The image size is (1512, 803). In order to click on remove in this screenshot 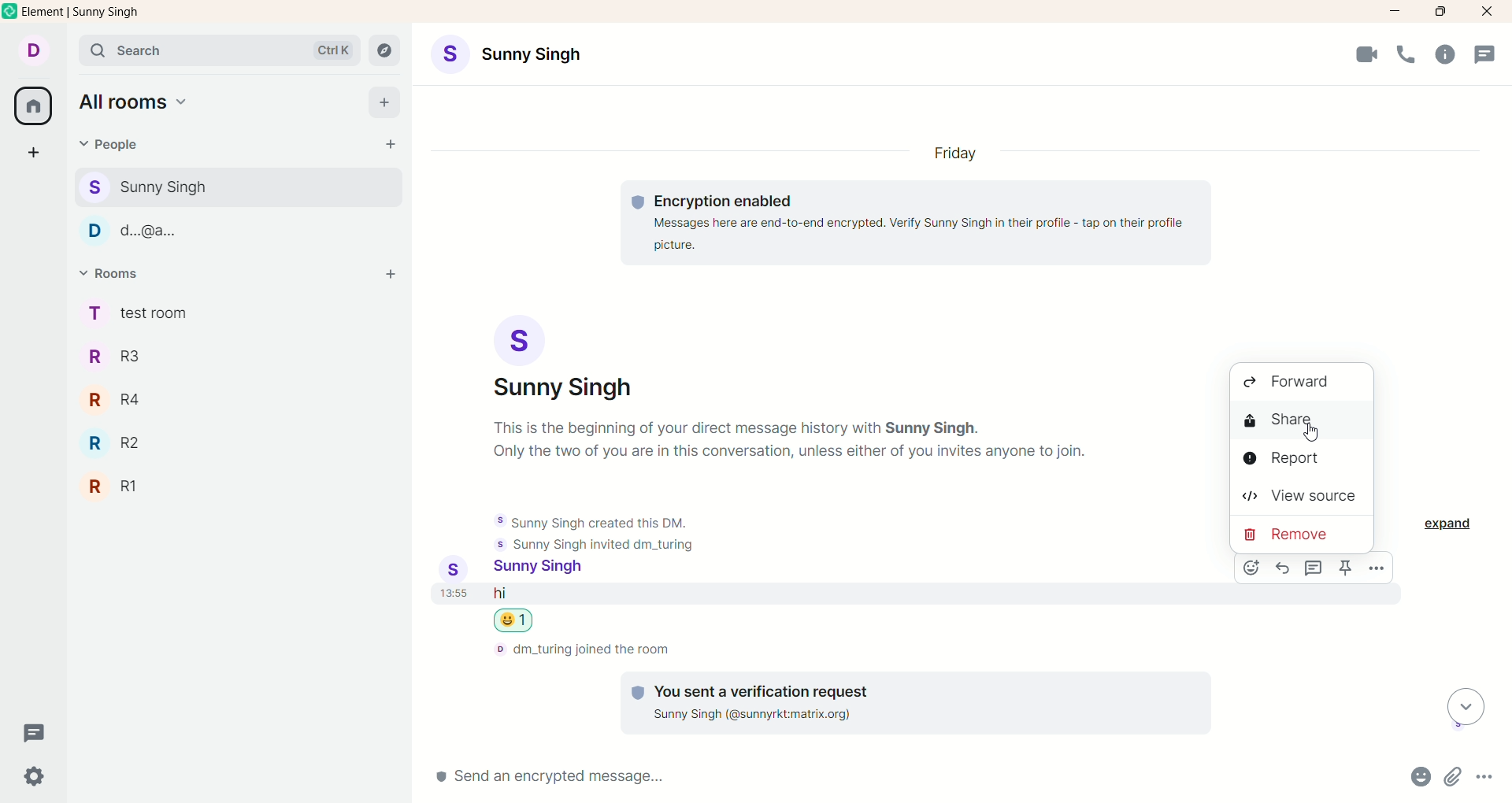, I will do `click(1302, 533)`.